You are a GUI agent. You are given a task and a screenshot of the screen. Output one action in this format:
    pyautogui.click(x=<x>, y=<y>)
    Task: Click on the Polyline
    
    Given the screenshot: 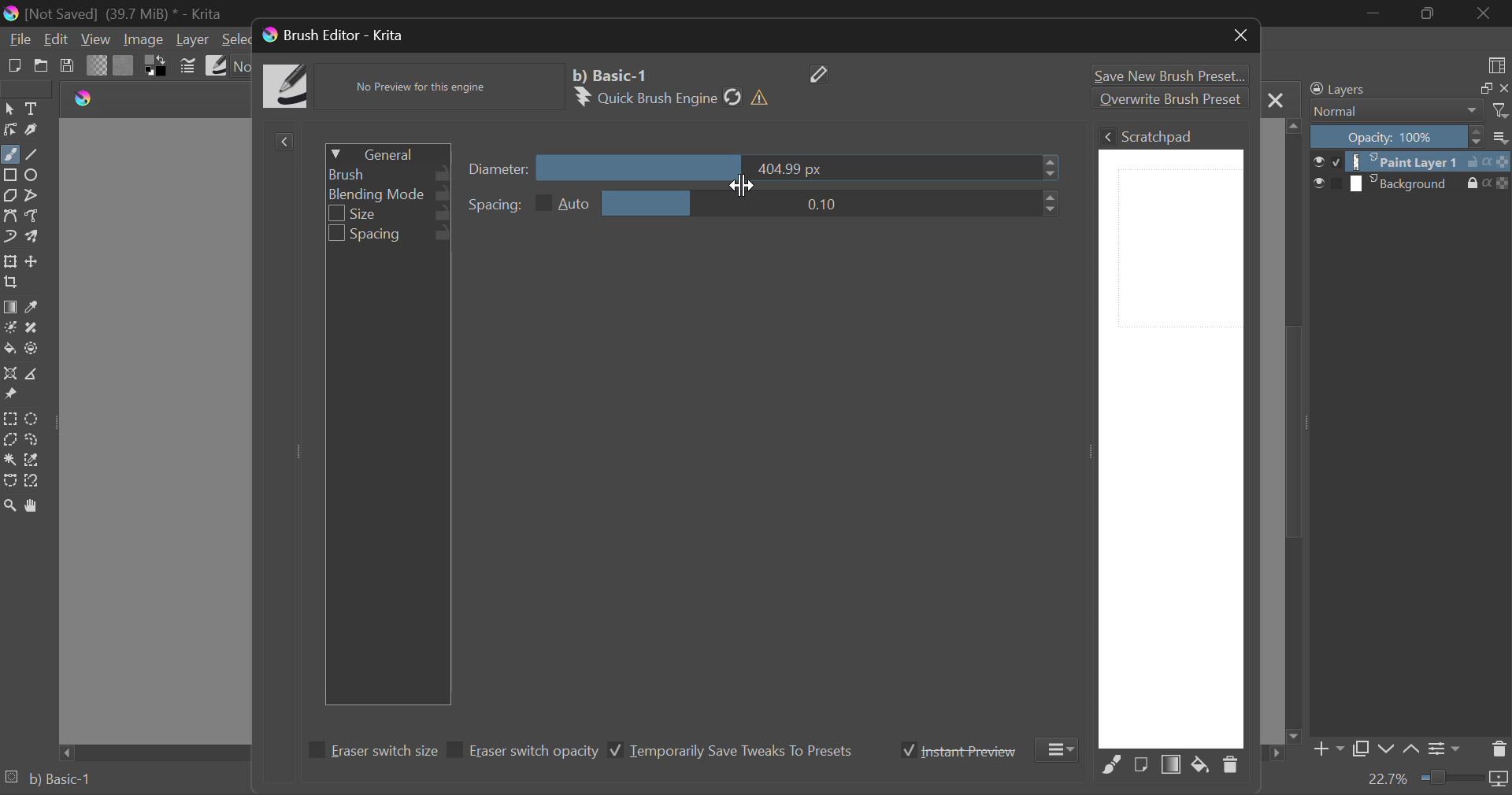 What is the action you would take?
    pyautogui.click(x=35, y=195)
    